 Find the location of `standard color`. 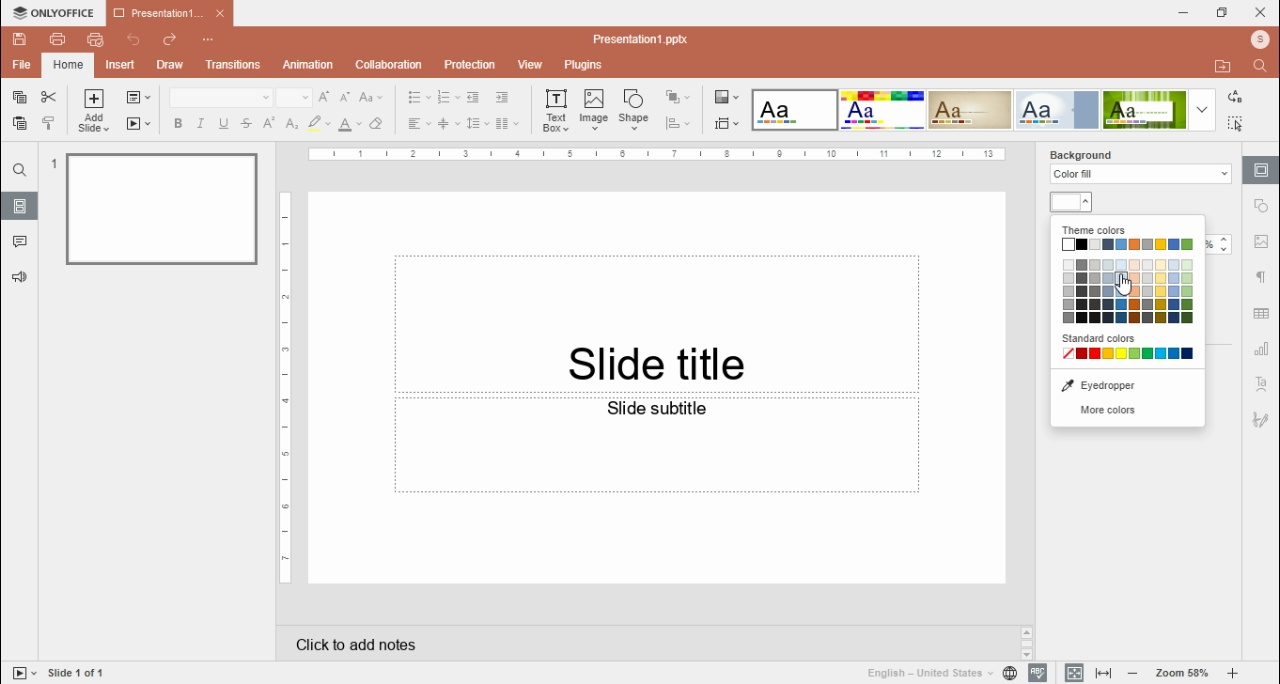

standard color is located at coordinates (1102, 337).